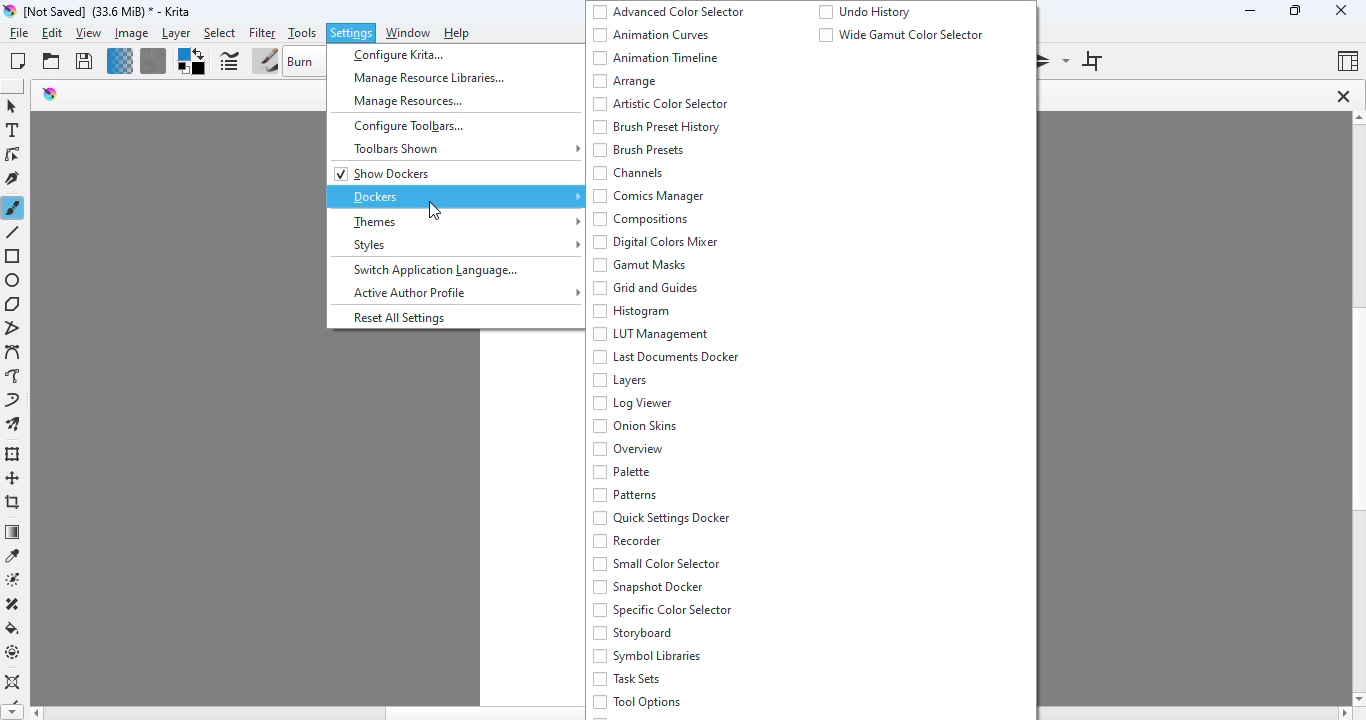  What do you see at coordinates (13, 376) in the screenshot?
I see `freehand path tool` at bounding box center [13, 376].